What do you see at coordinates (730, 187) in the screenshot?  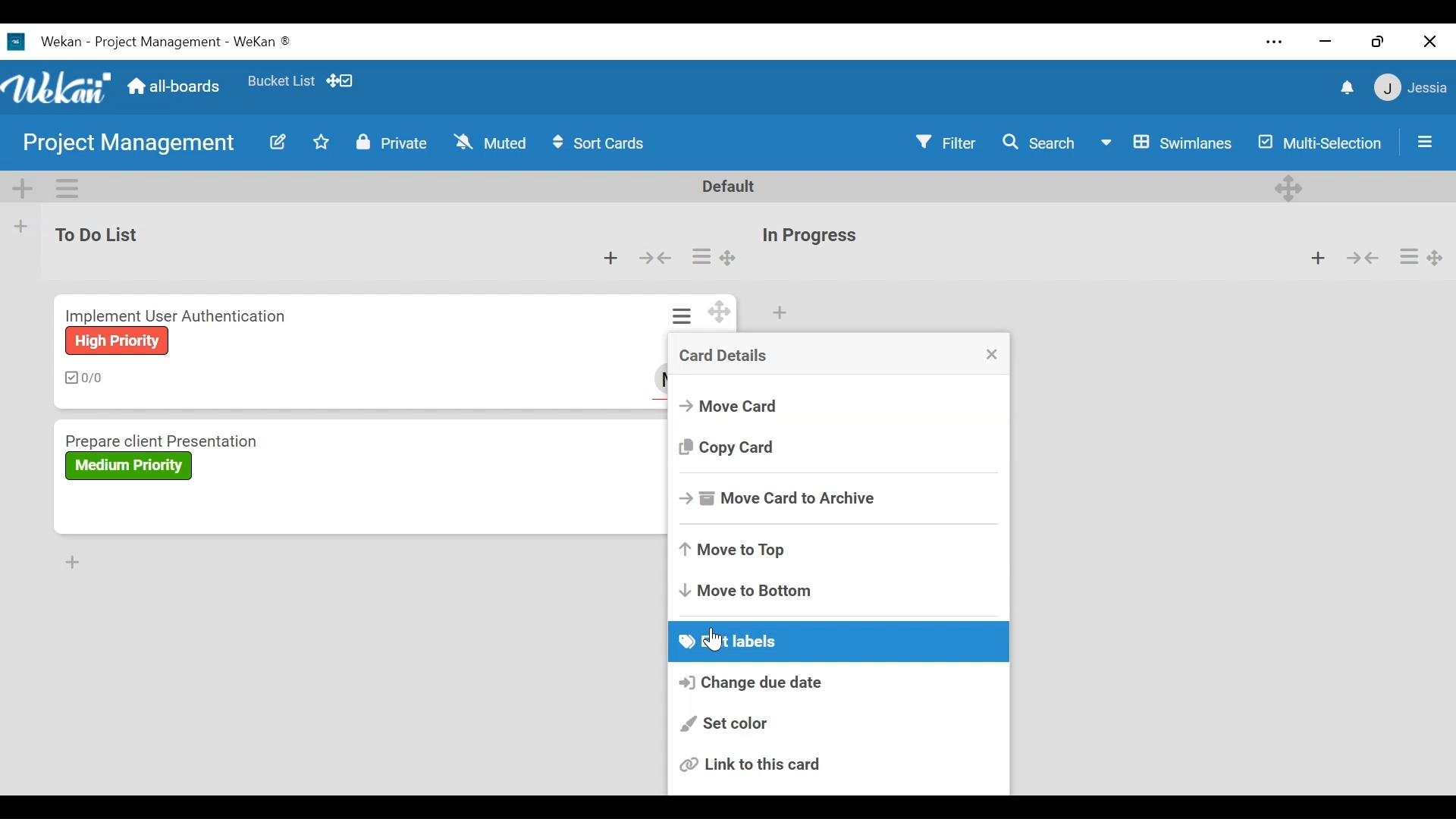 I see `Default` at bounding box center [730, 187].